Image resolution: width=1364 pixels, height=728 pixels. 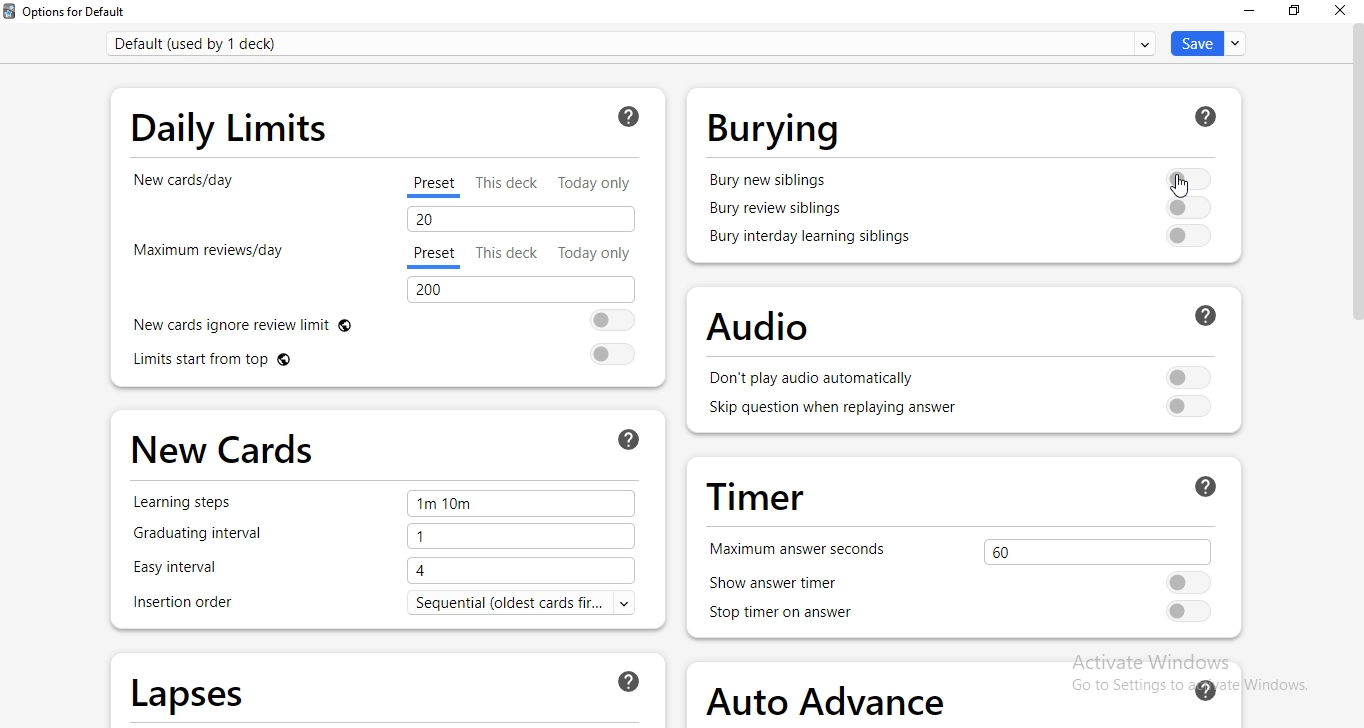 I want to click on today only, so click(x=601, y=182).